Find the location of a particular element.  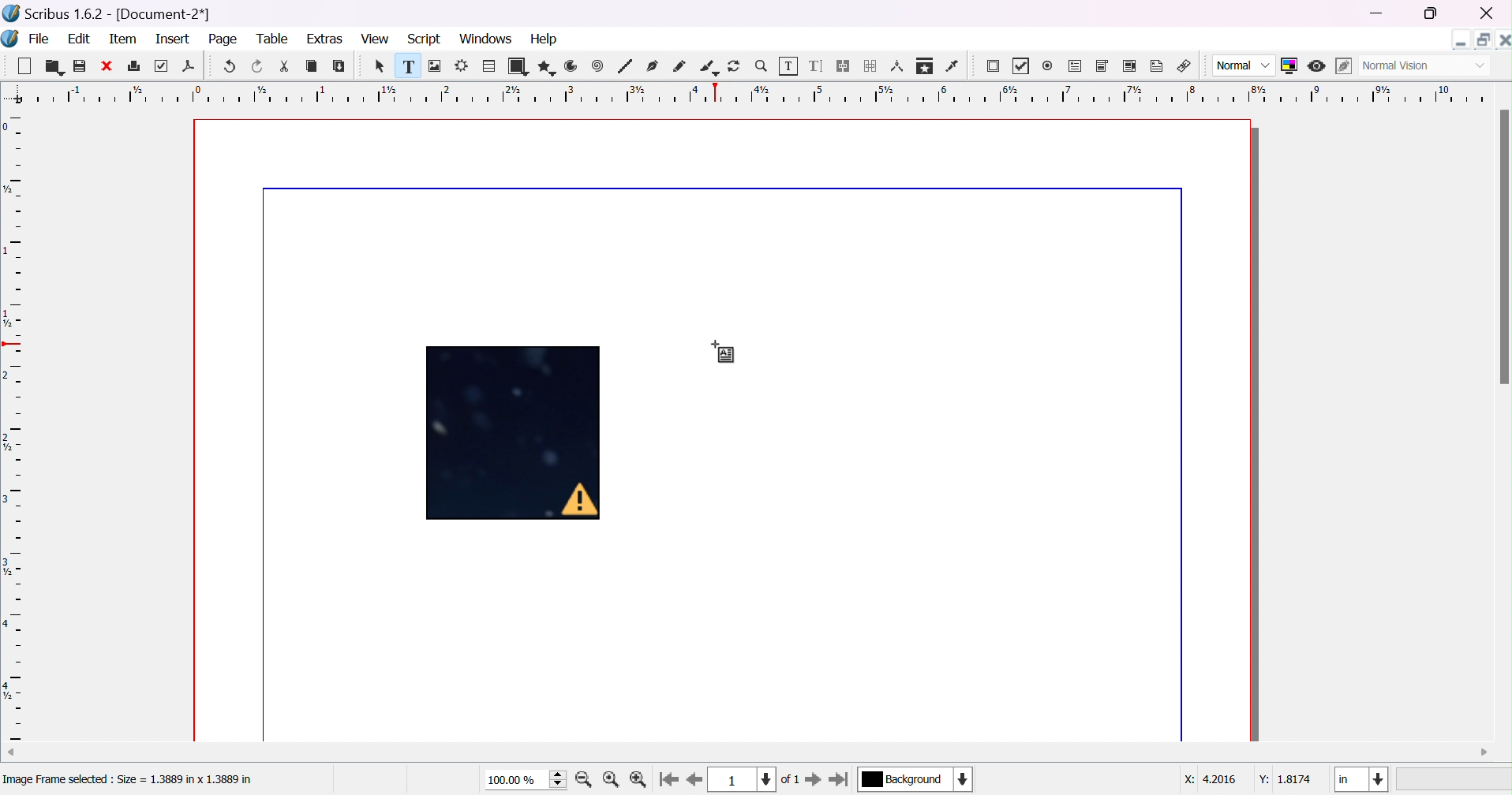

text frame is located at coordinates (407, 66).